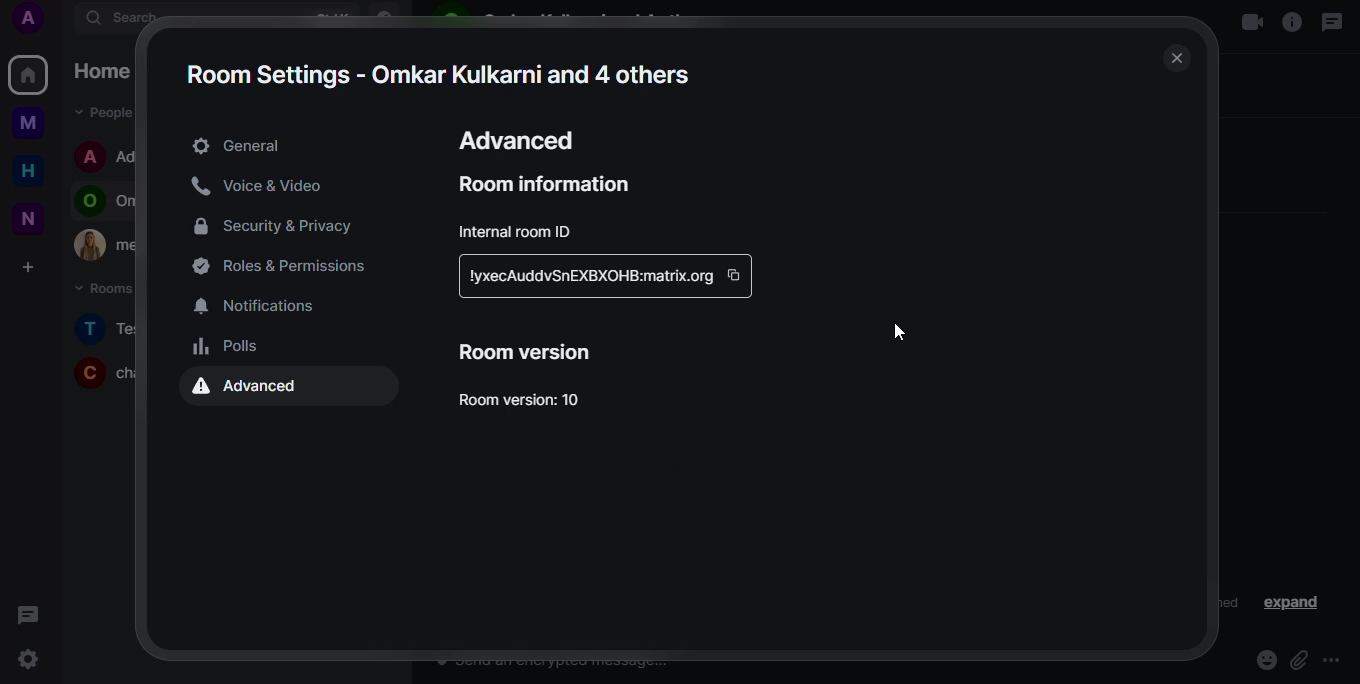 Image resolution: width=1360 pixels, height=684 pixels. Describe the element at coordinates (265, 185) in the screenshot. I see `voice & video` at that location.